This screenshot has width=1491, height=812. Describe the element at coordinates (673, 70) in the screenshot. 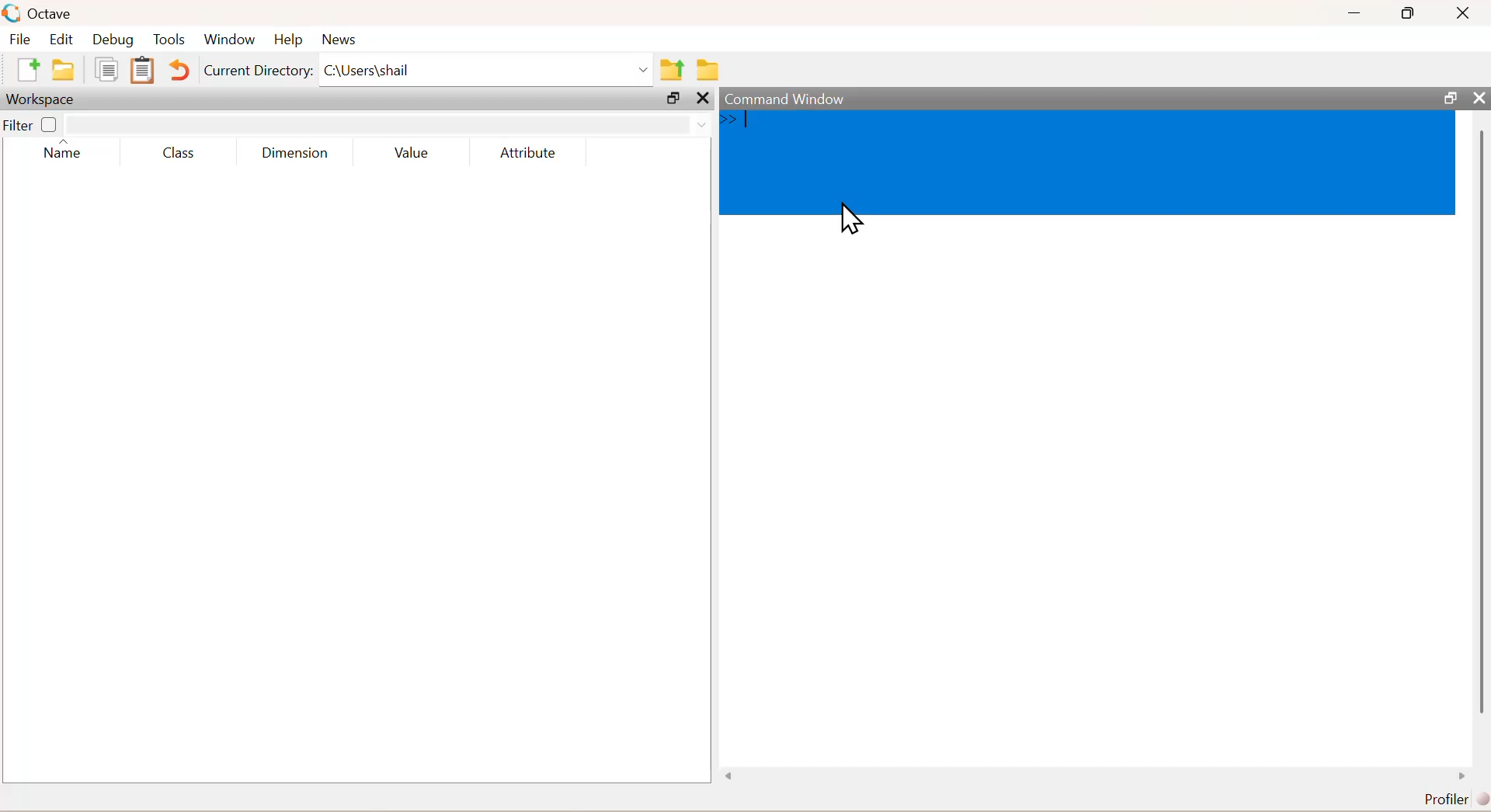

I see `share folder` at that location.